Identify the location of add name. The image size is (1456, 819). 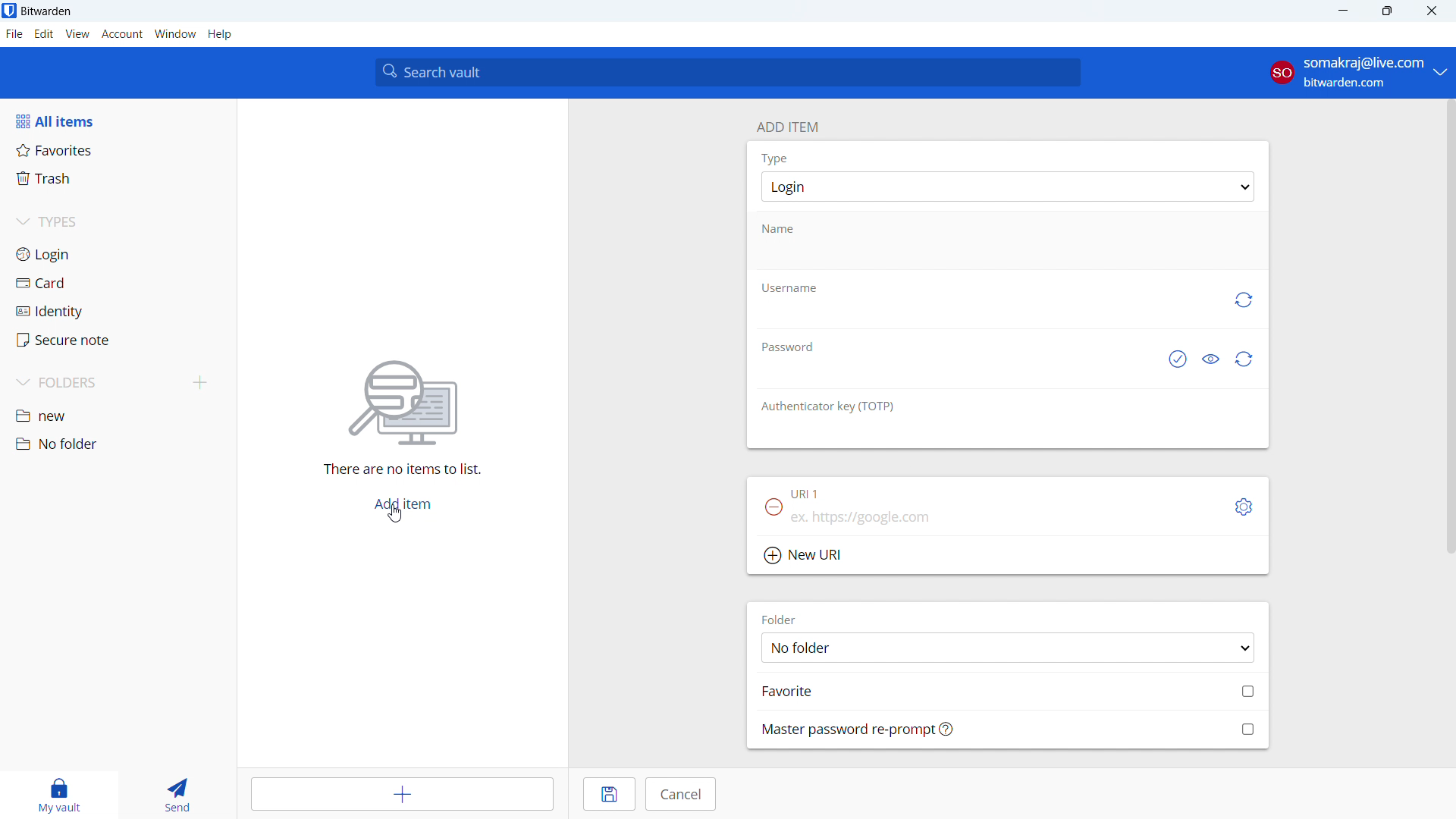
(1008, 255).